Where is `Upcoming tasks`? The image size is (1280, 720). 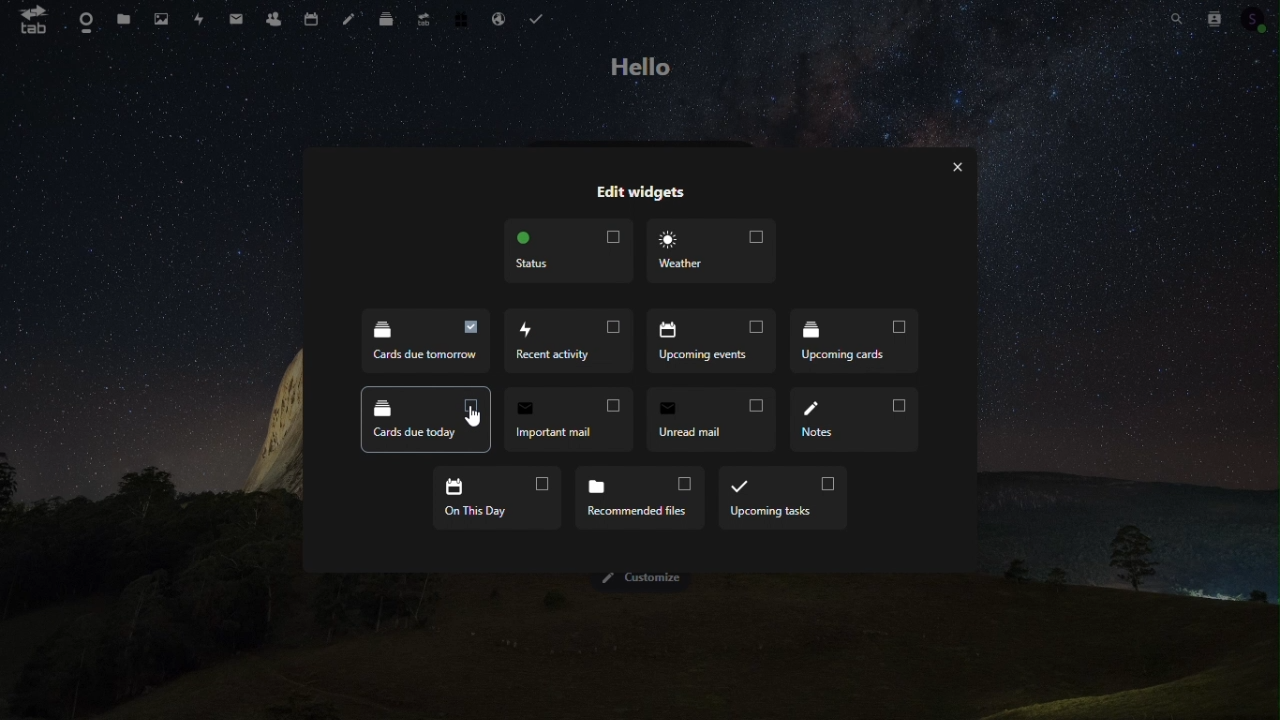 Upcoming tasks is located at coordinates (783, 499).